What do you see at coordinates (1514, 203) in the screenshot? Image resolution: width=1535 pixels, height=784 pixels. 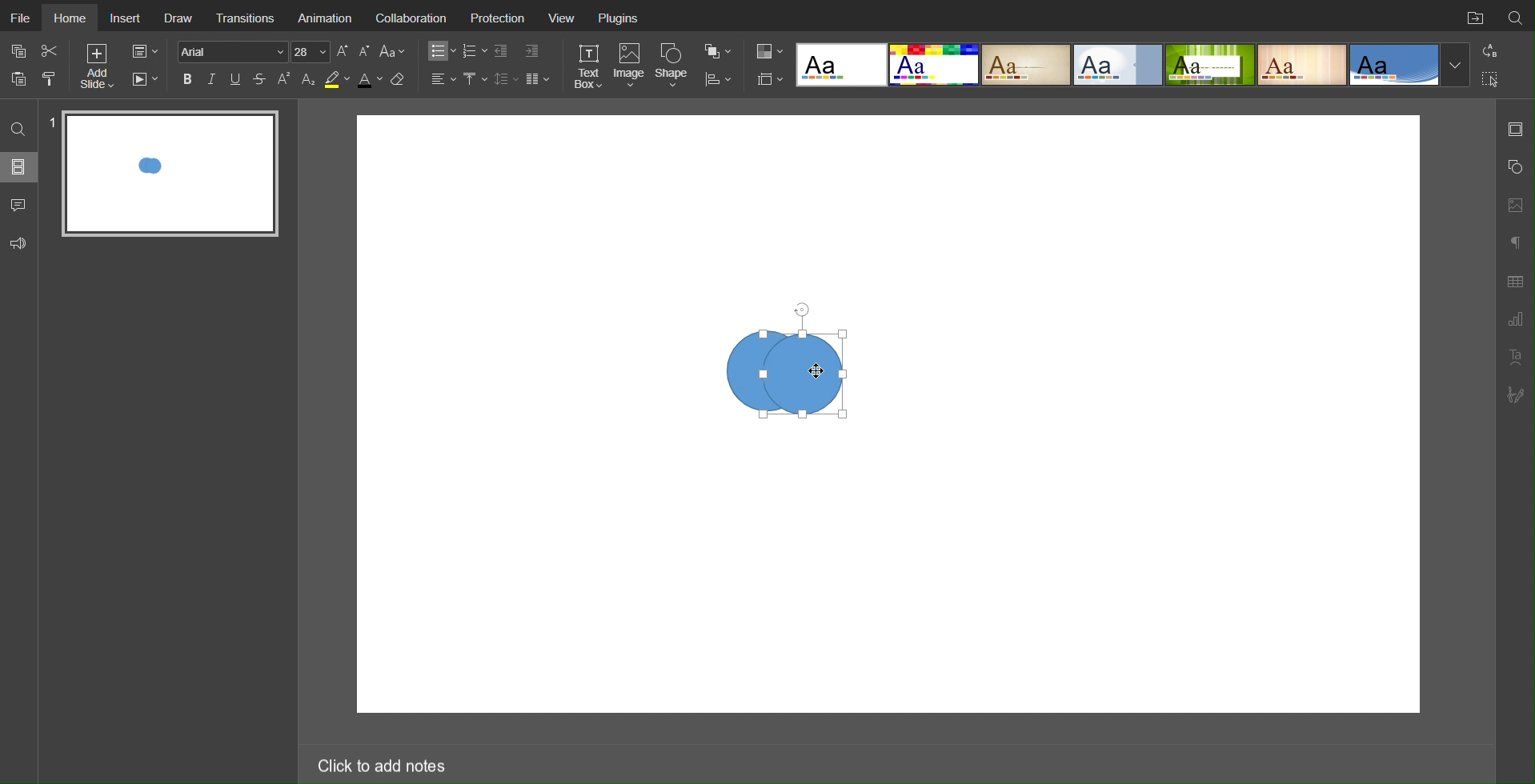 I see `Image Settings` at bounding box center [1514, 203].